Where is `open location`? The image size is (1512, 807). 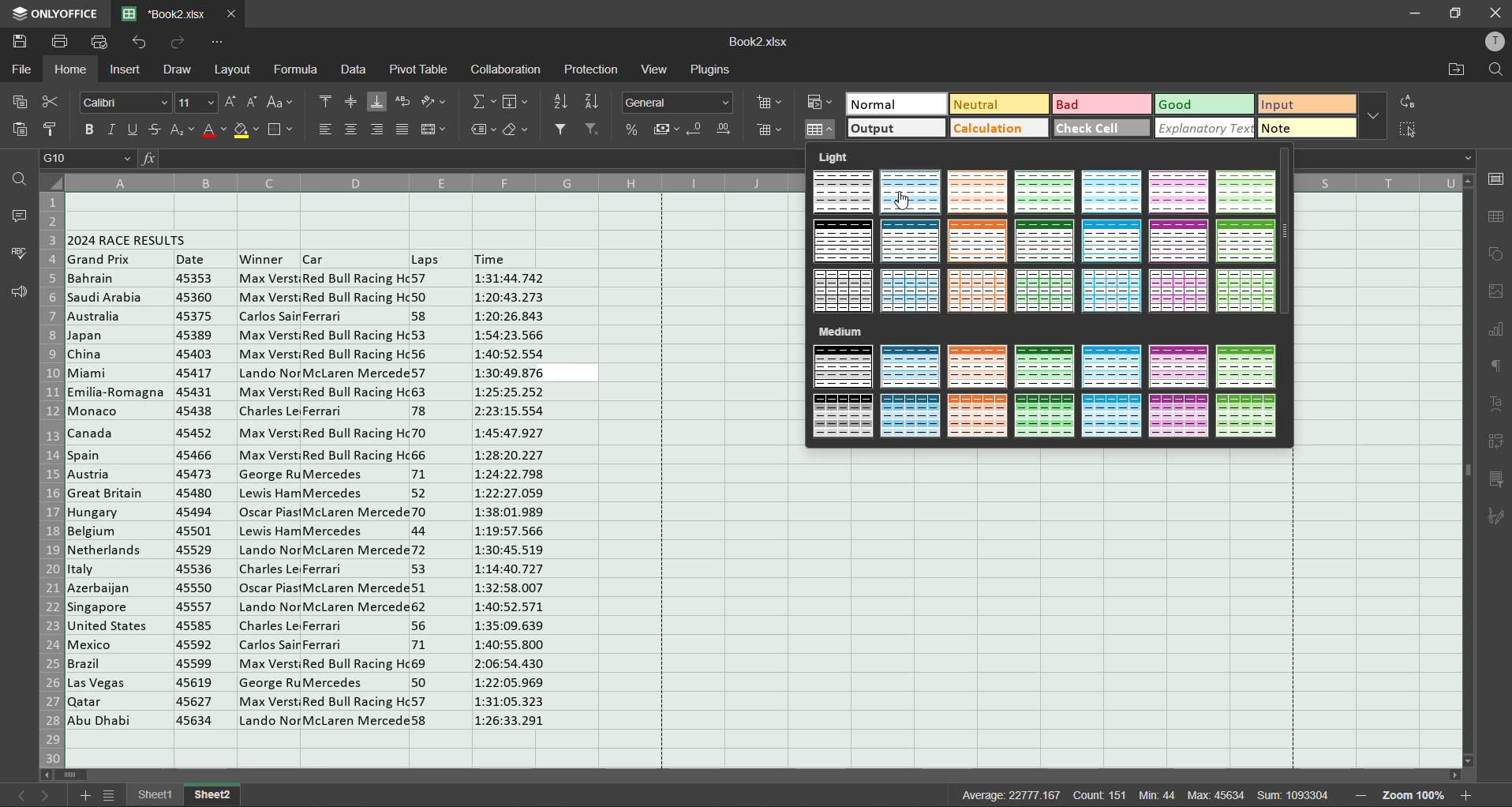 open location is located at coordinates (1460, 73).